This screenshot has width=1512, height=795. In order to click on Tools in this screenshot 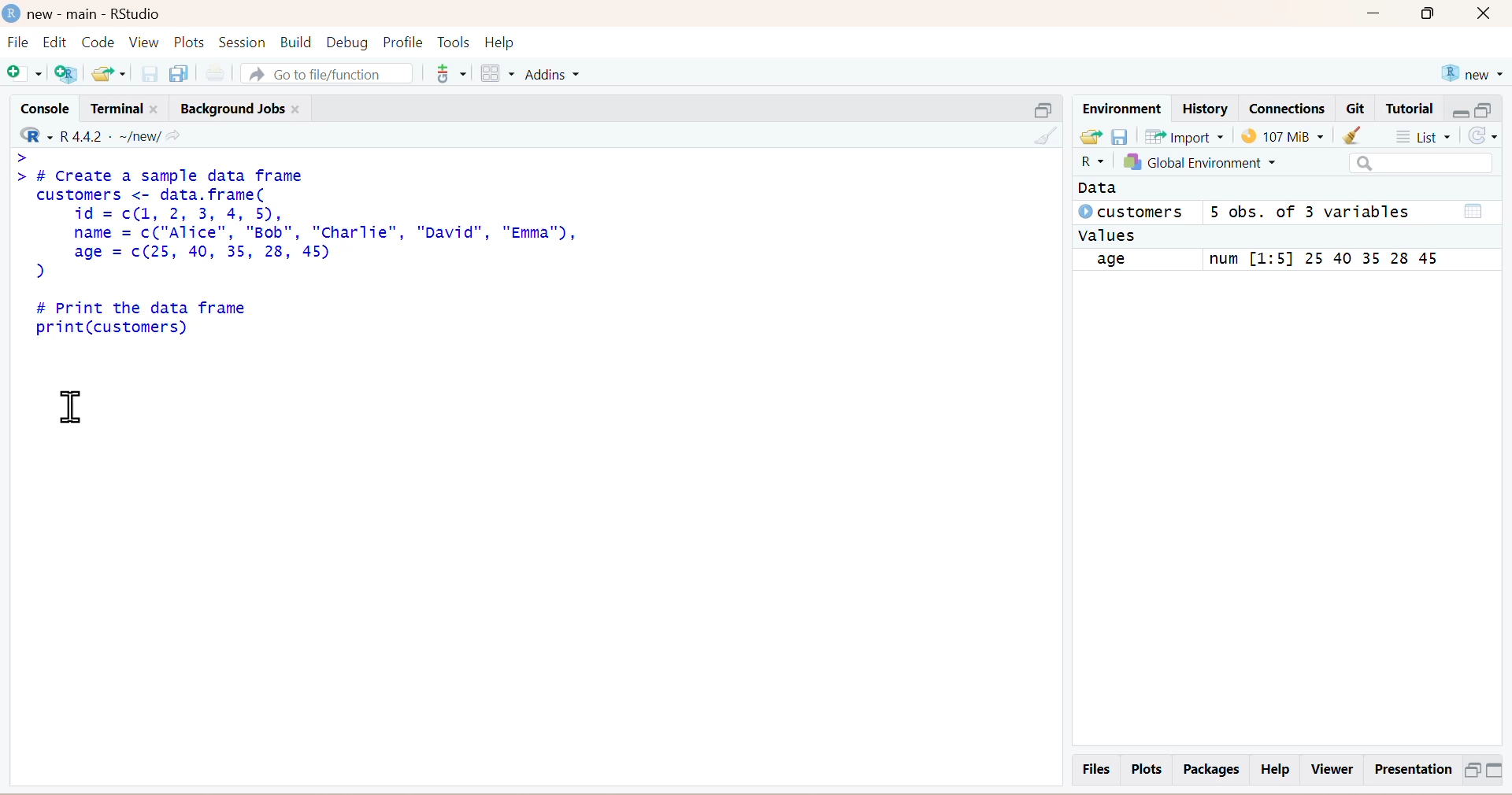, I will do `click(454, 40)`.